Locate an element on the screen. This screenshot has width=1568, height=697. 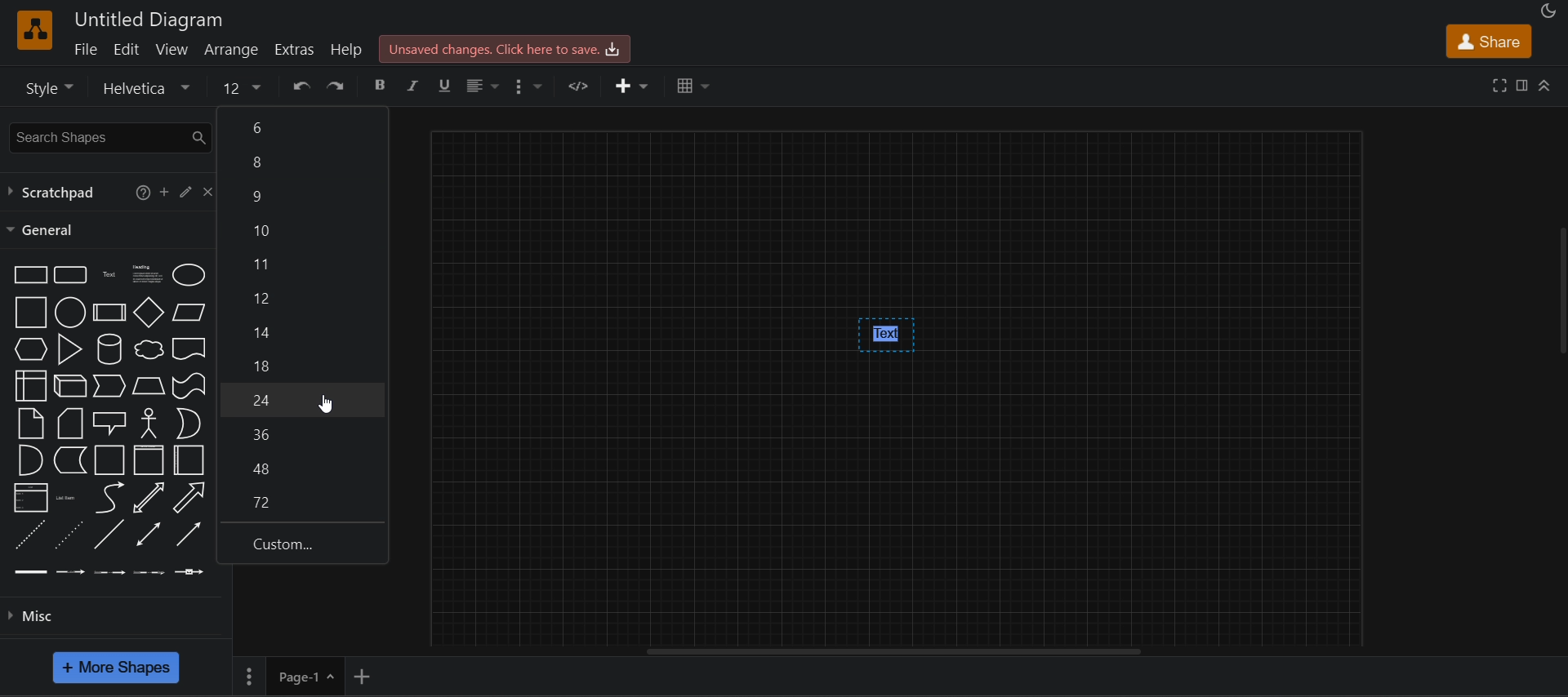
Callout is located at coordinates (109, 424).